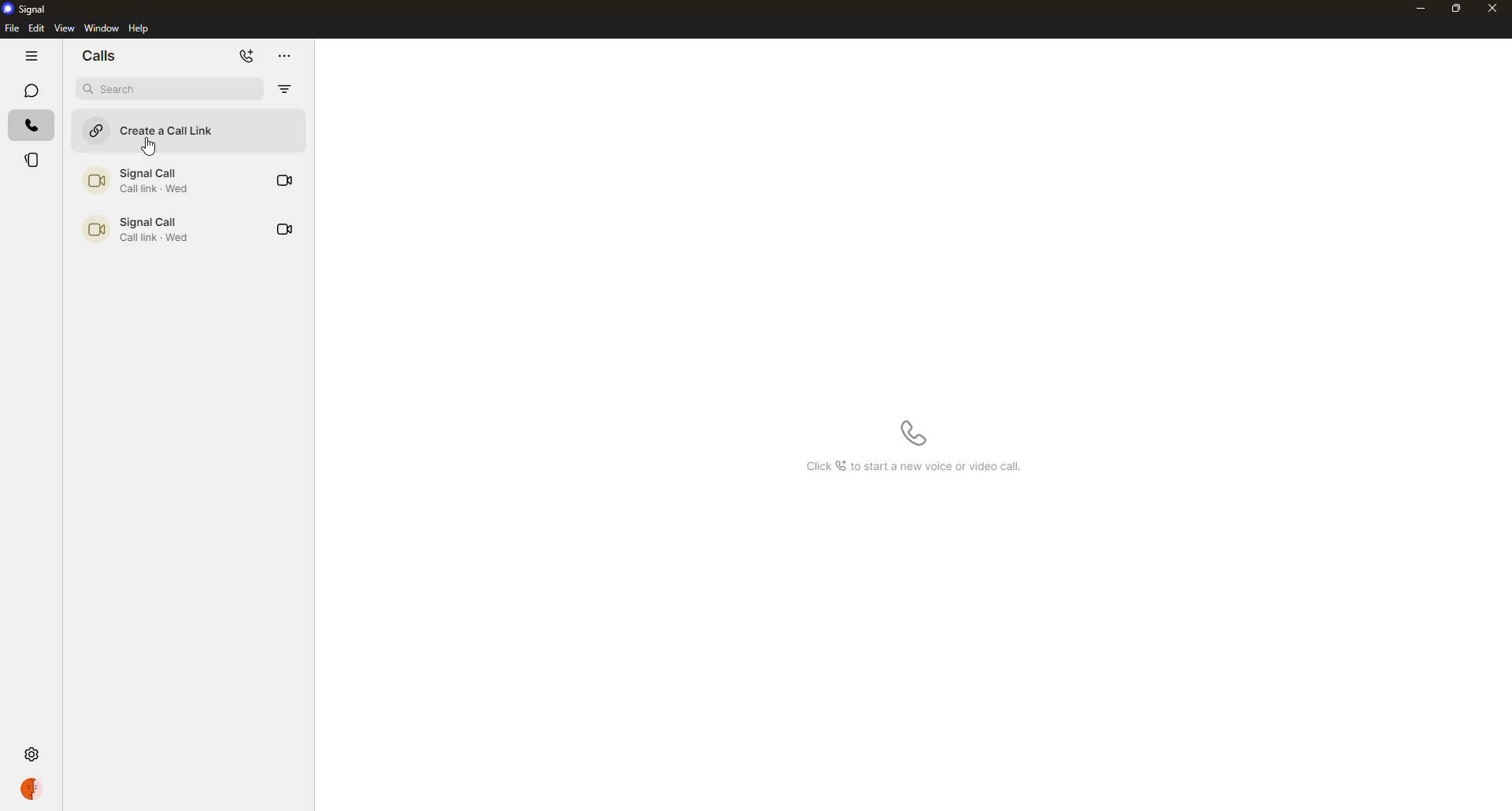 The height and width of the screenshot is (811, 1512). What do you see at coordinates (31, 754) in the screenshot?
I see `settings` at bounding box center [31, 754].